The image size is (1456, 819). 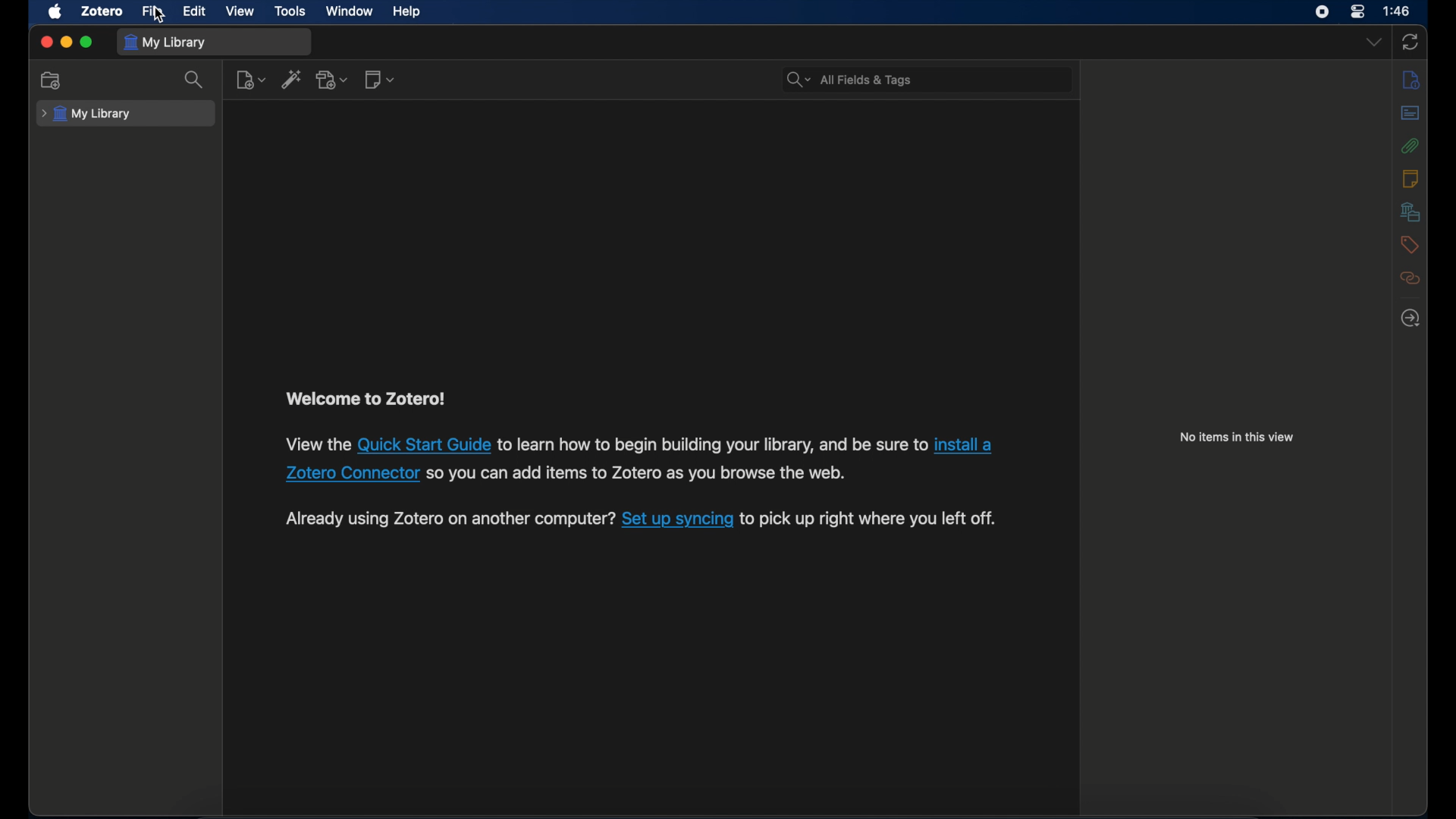 I want to click on add attachment, so click(x=333, y=79).